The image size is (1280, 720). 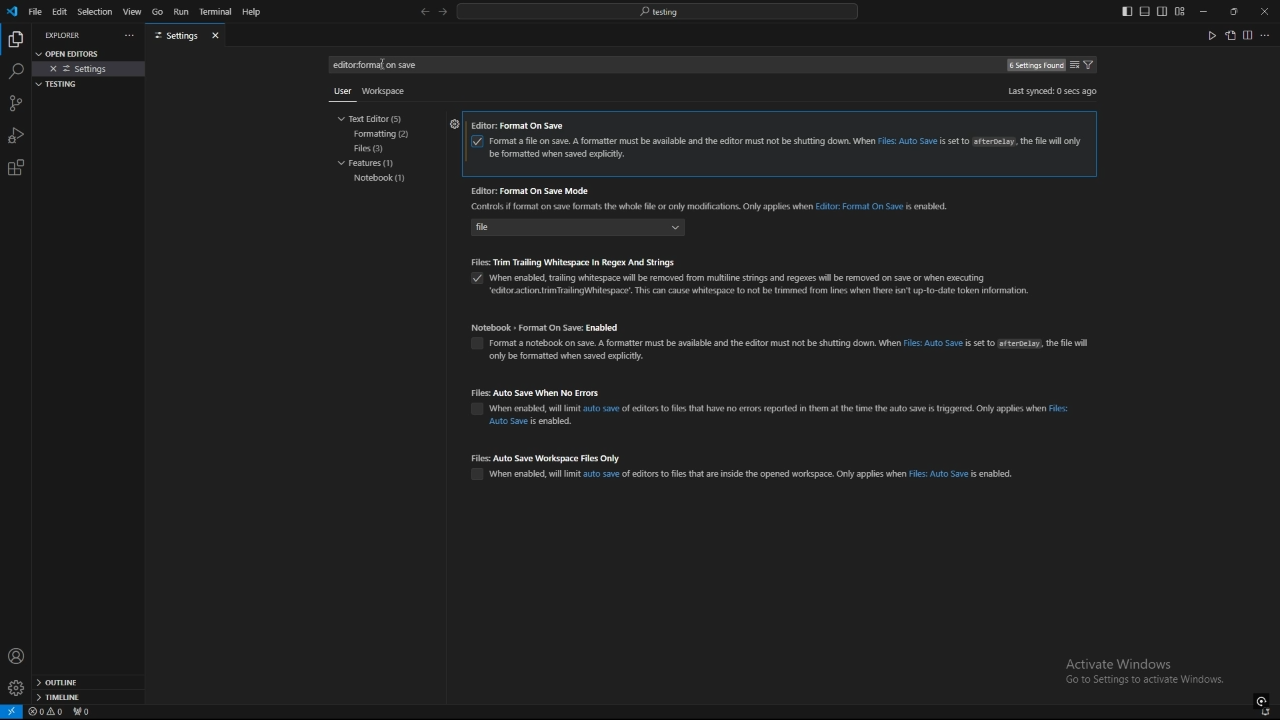 What do you see at coordinates (16, 135) in the screenshot?
I see `run and debug` at bounding box center [16, 135].